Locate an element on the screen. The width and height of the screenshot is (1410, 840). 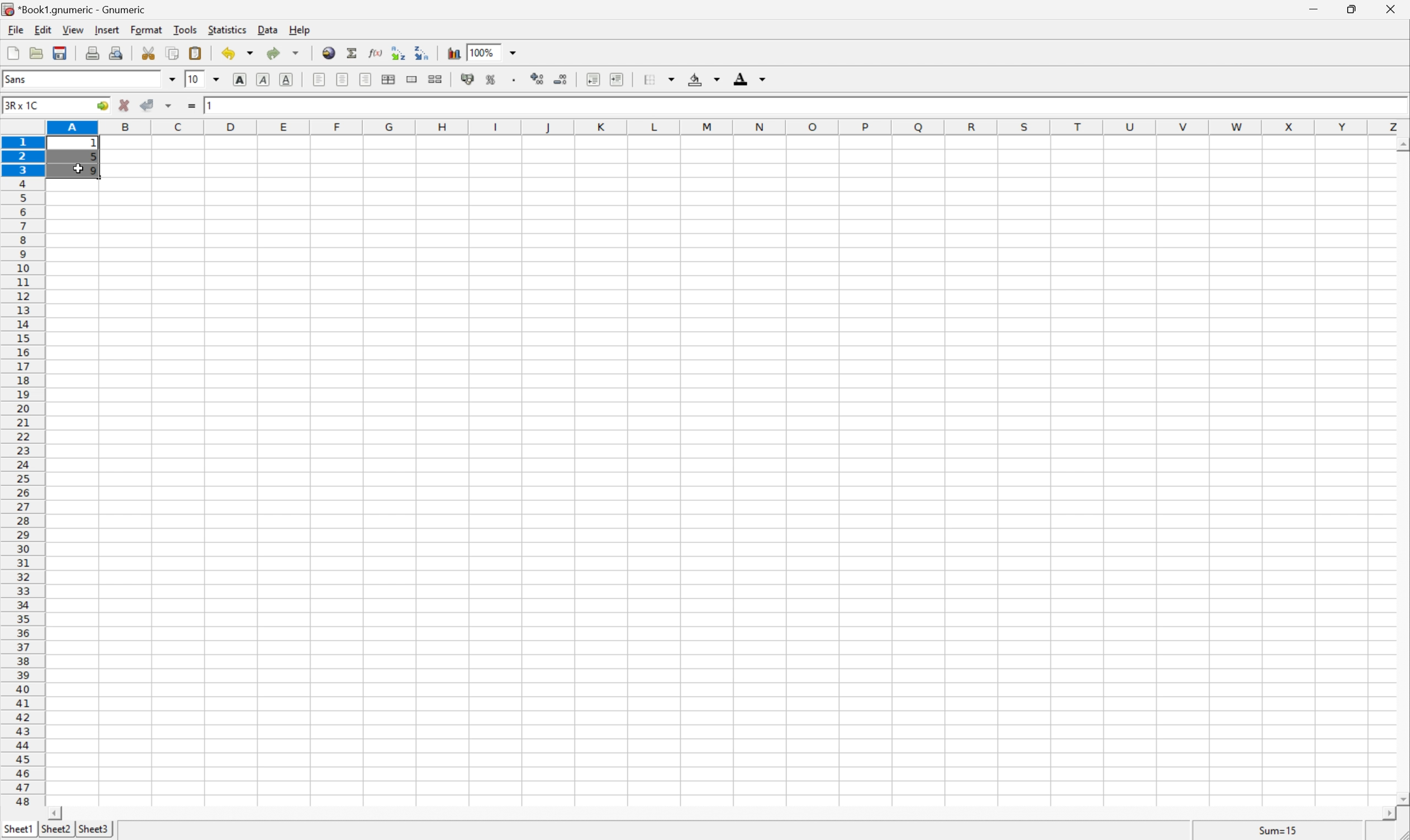
align left is located at coordinates (320, 79).